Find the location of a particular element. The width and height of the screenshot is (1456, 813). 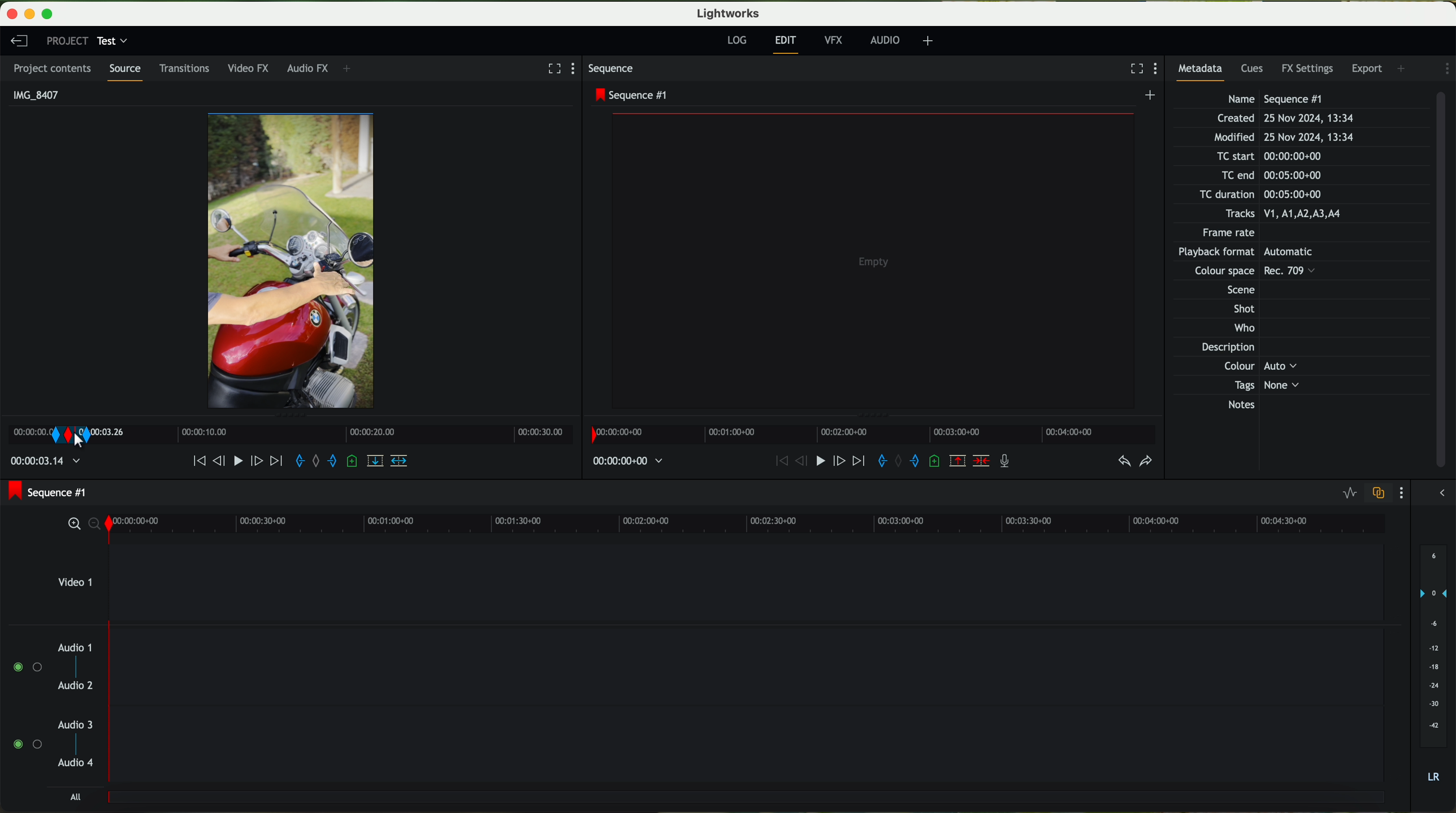

nudge one frame back is located at coordinates (794, 464).